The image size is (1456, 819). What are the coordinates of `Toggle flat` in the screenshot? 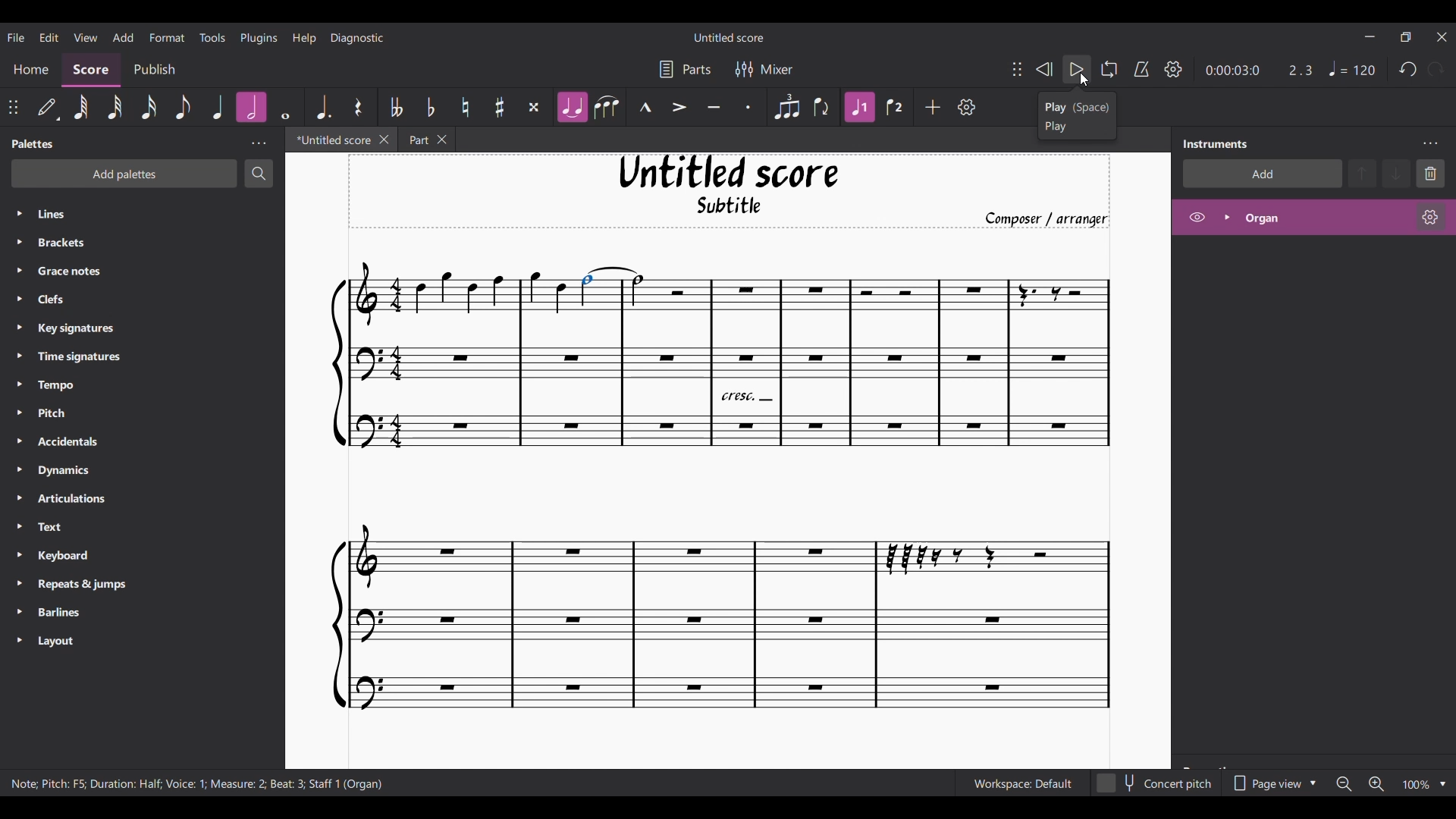 It's located at (431, 107).